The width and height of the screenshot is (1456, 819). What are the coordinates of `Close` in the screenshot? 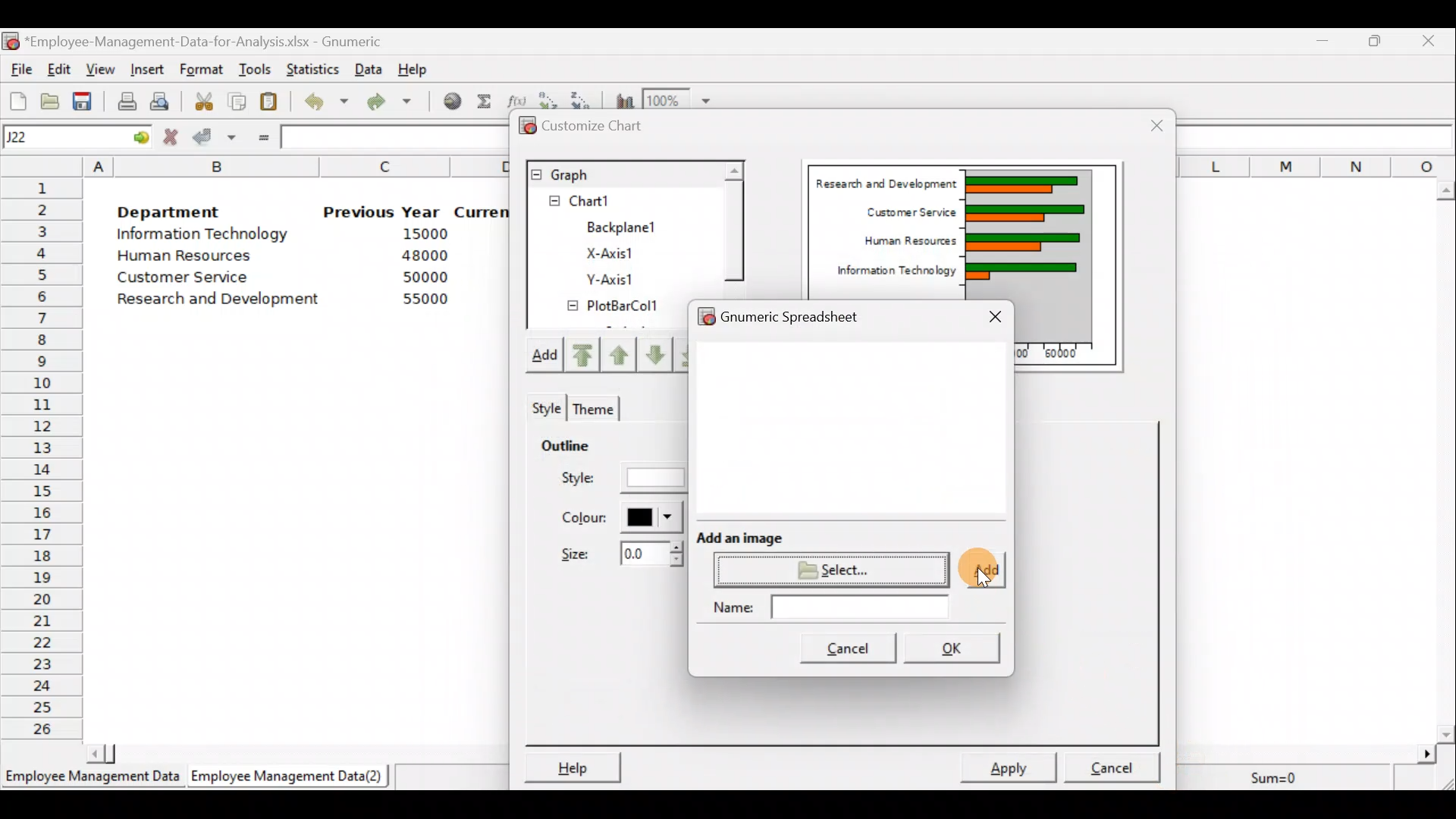 It's located at (992, 316).